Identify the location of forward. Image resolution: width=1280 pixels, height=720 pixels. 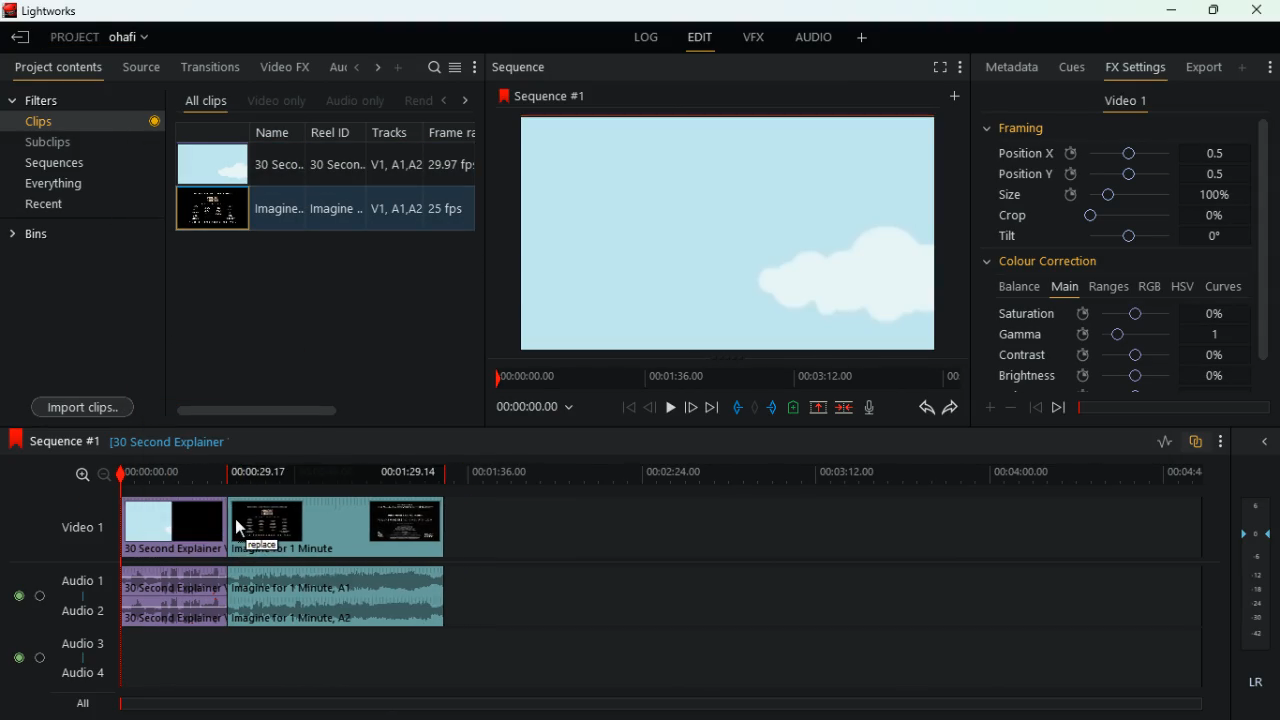
(711, 408).